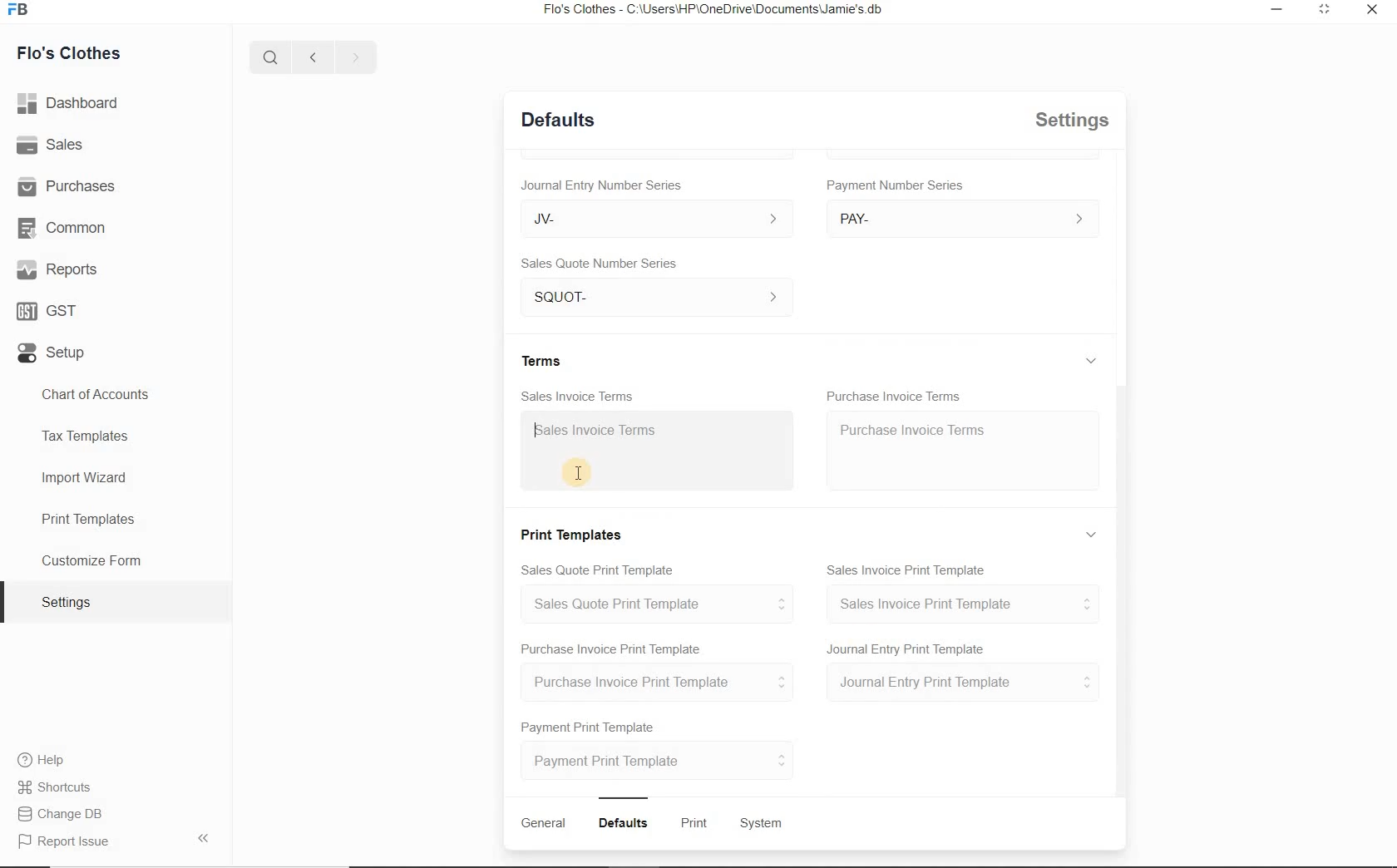 This screenshot has height=868, width=1397. Describe the element at coordinates (67, 185) in the screenshot. I see `Purchases` at that location.